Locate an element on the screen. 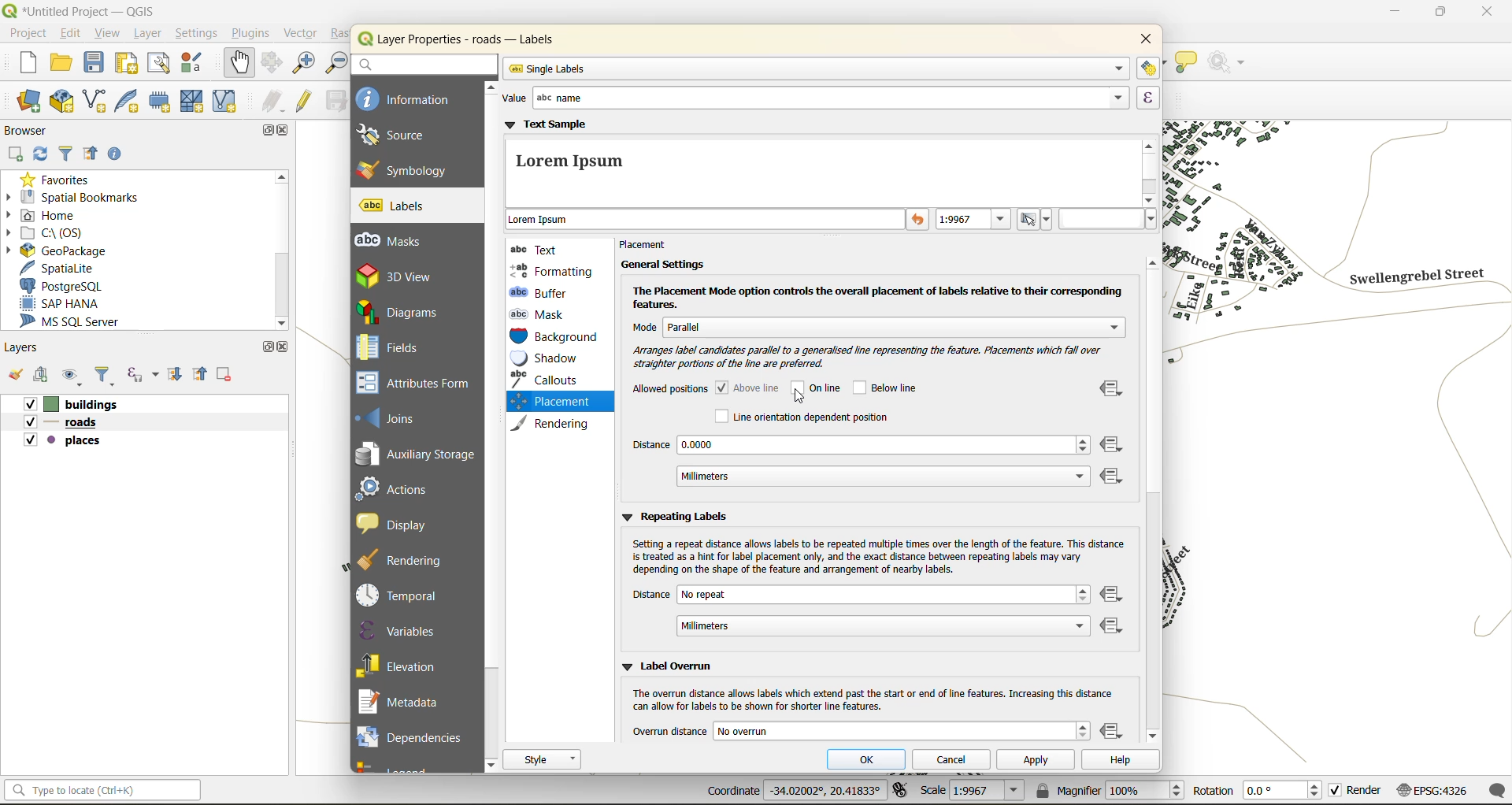  style manager is located at coordinates (198, 65).